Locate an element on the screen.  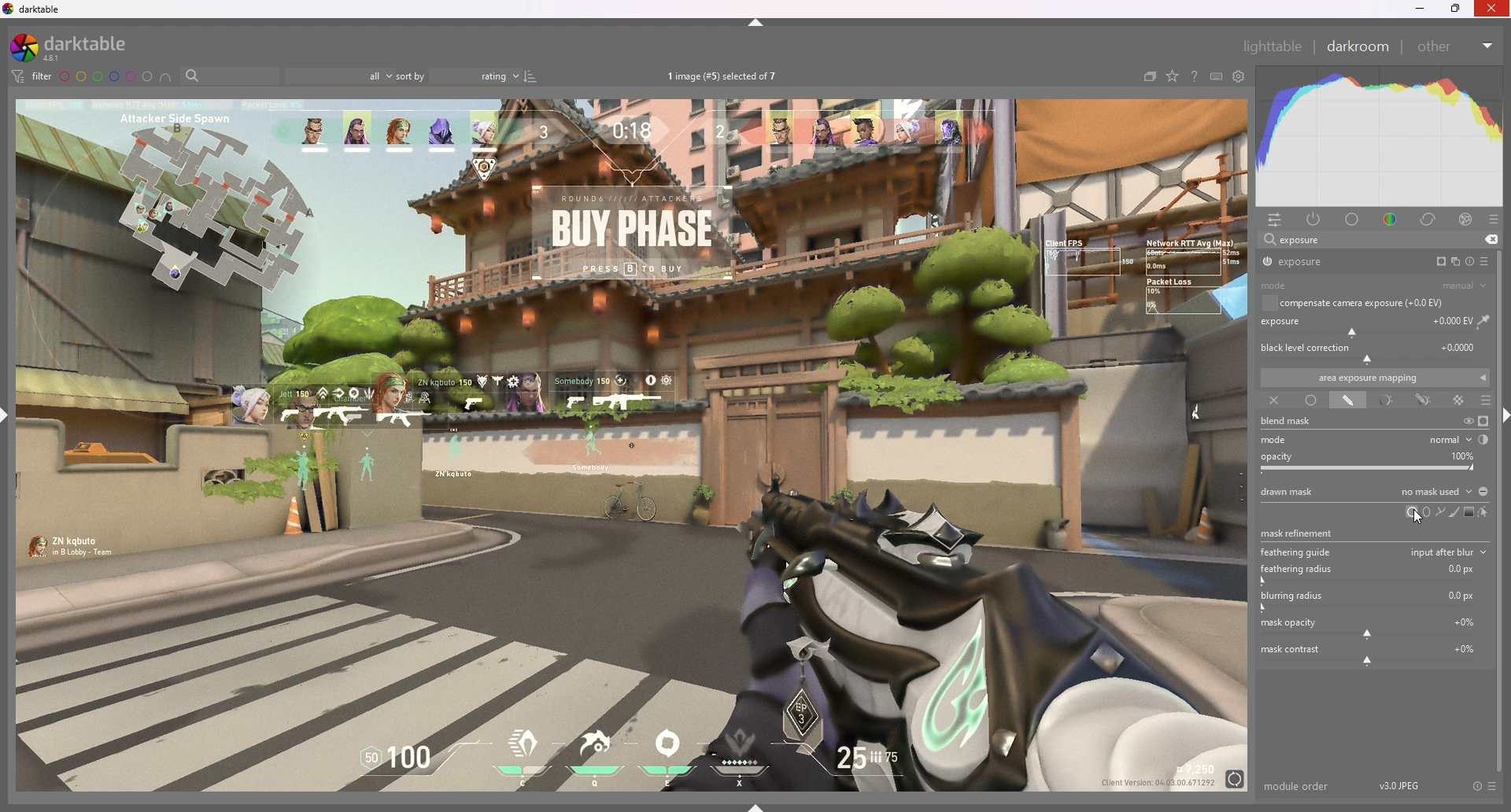
cursor is located at coordinates (1419, 516).